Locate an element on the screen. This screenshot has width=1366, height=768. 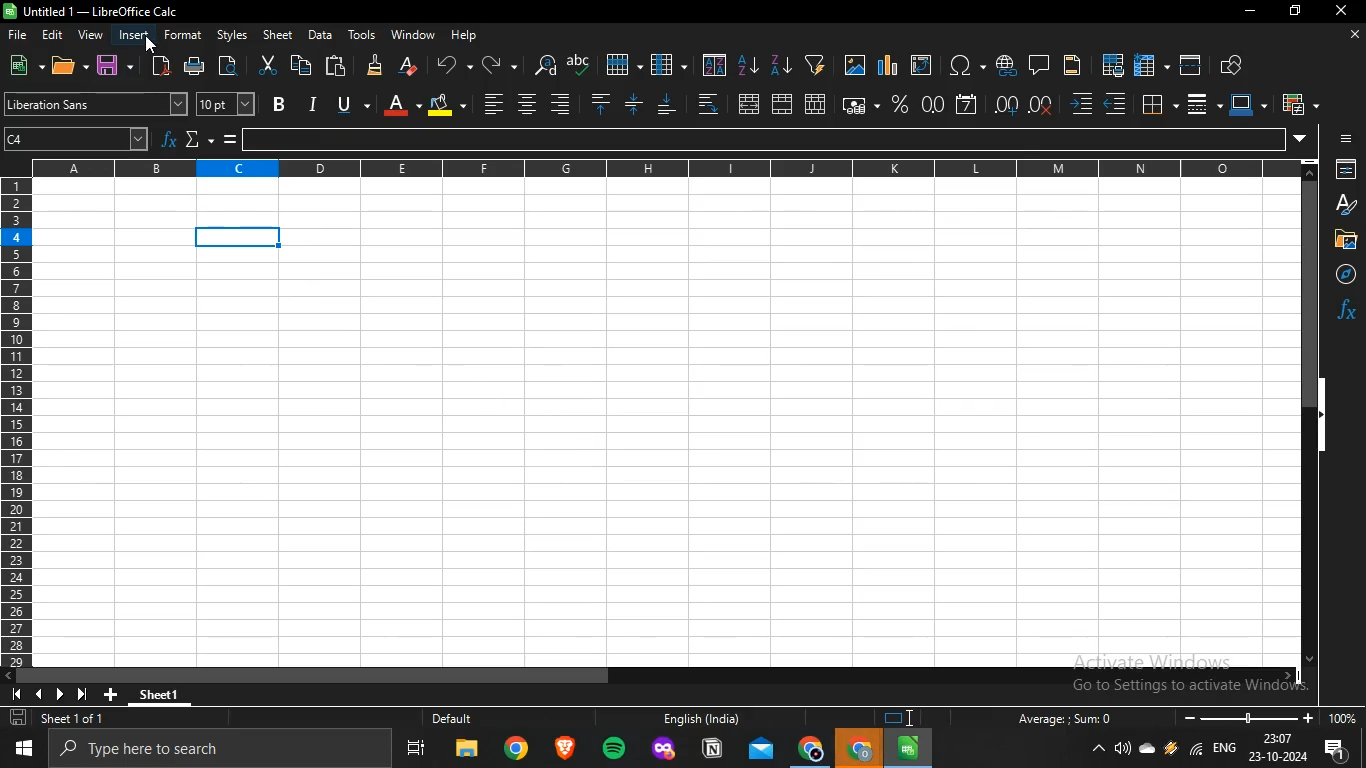
increase indent is located at coordinates (1082, 105).